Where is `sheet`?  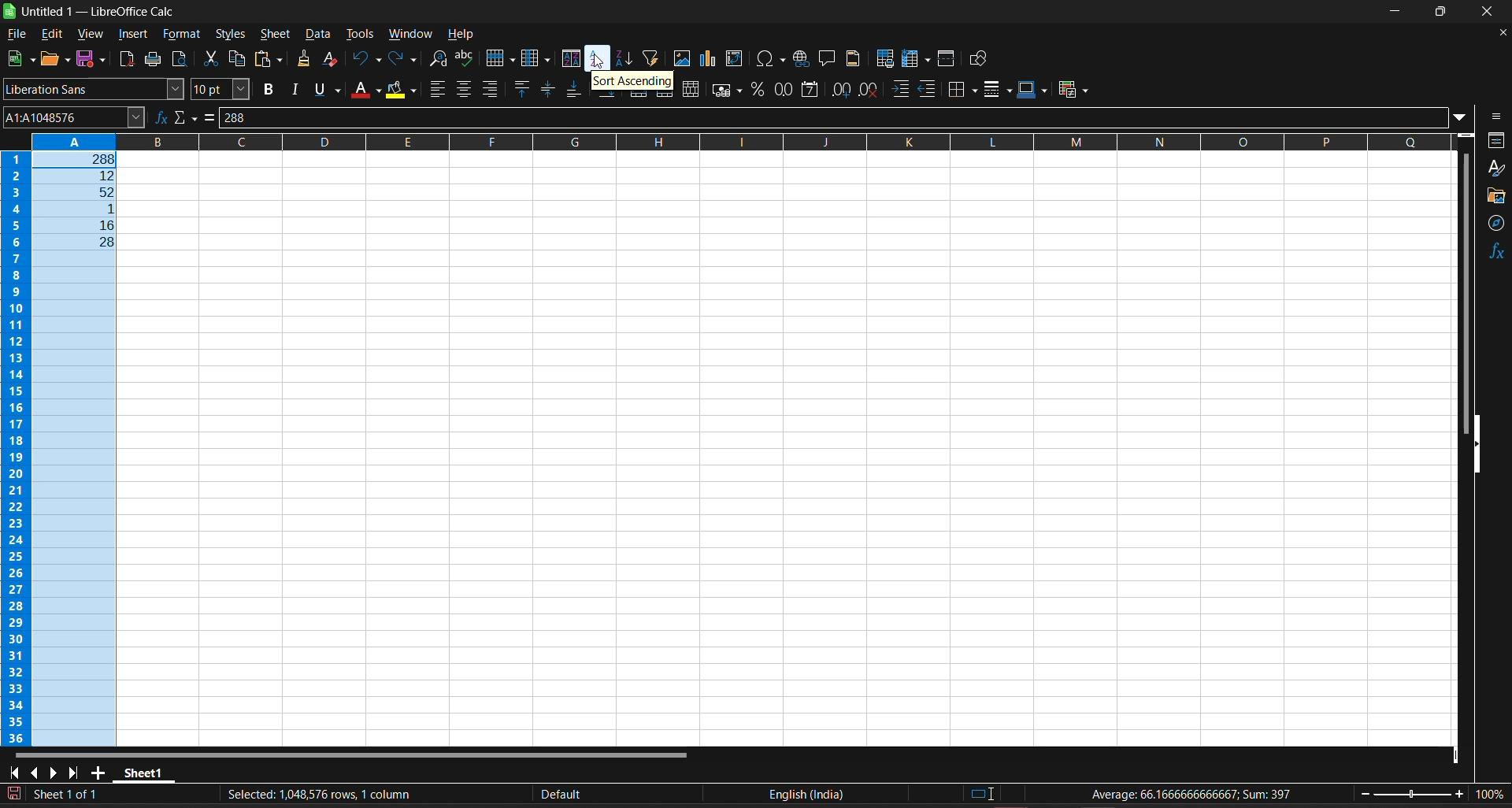 sheet is located at coordinates (277, 35).